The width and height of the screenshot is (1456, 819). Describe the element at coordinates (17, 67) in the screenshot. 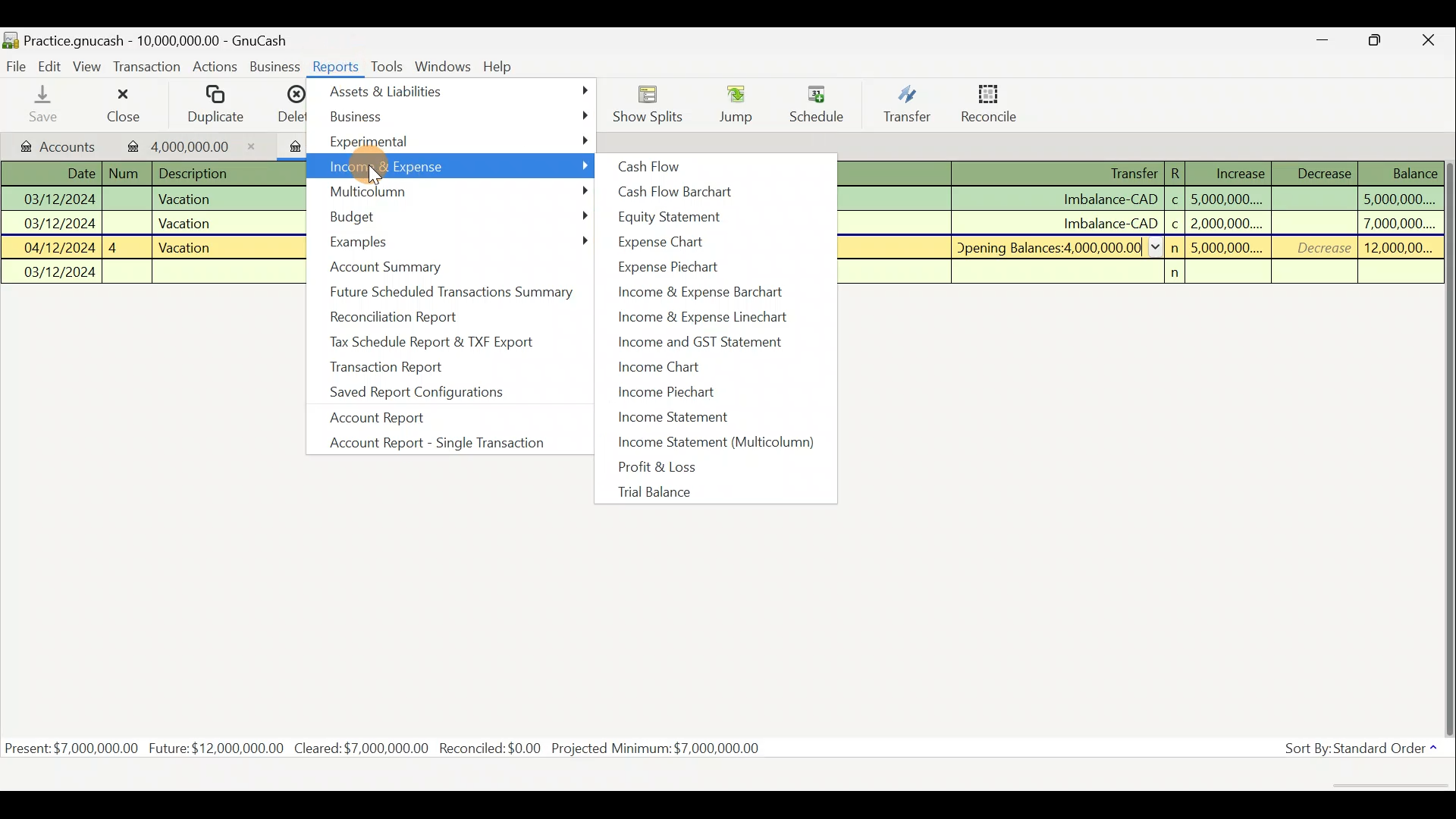

I see `File` at that location.